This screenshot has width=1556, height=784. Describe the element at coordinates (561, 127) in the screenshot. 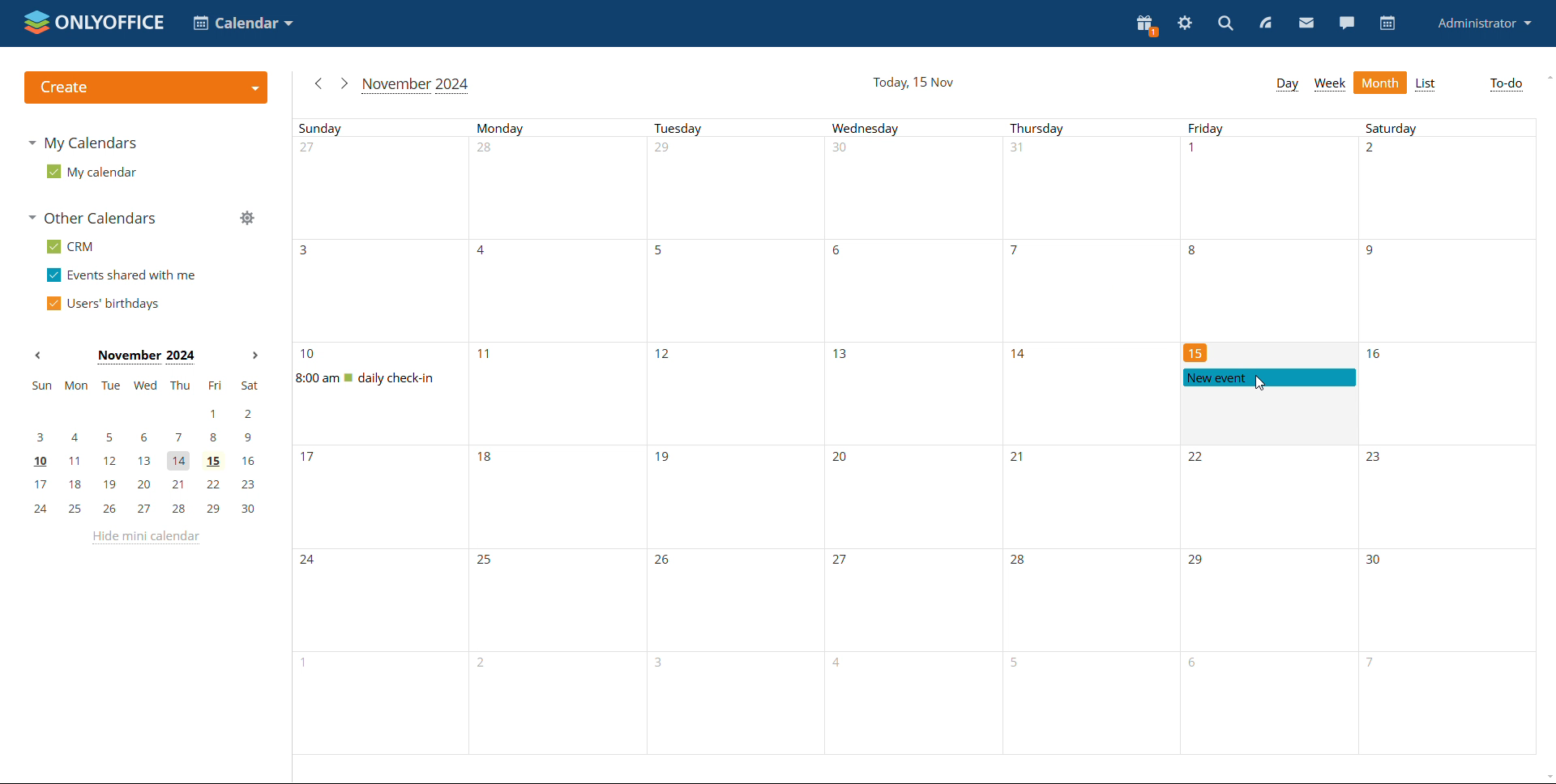

I see `individual day` at that location.